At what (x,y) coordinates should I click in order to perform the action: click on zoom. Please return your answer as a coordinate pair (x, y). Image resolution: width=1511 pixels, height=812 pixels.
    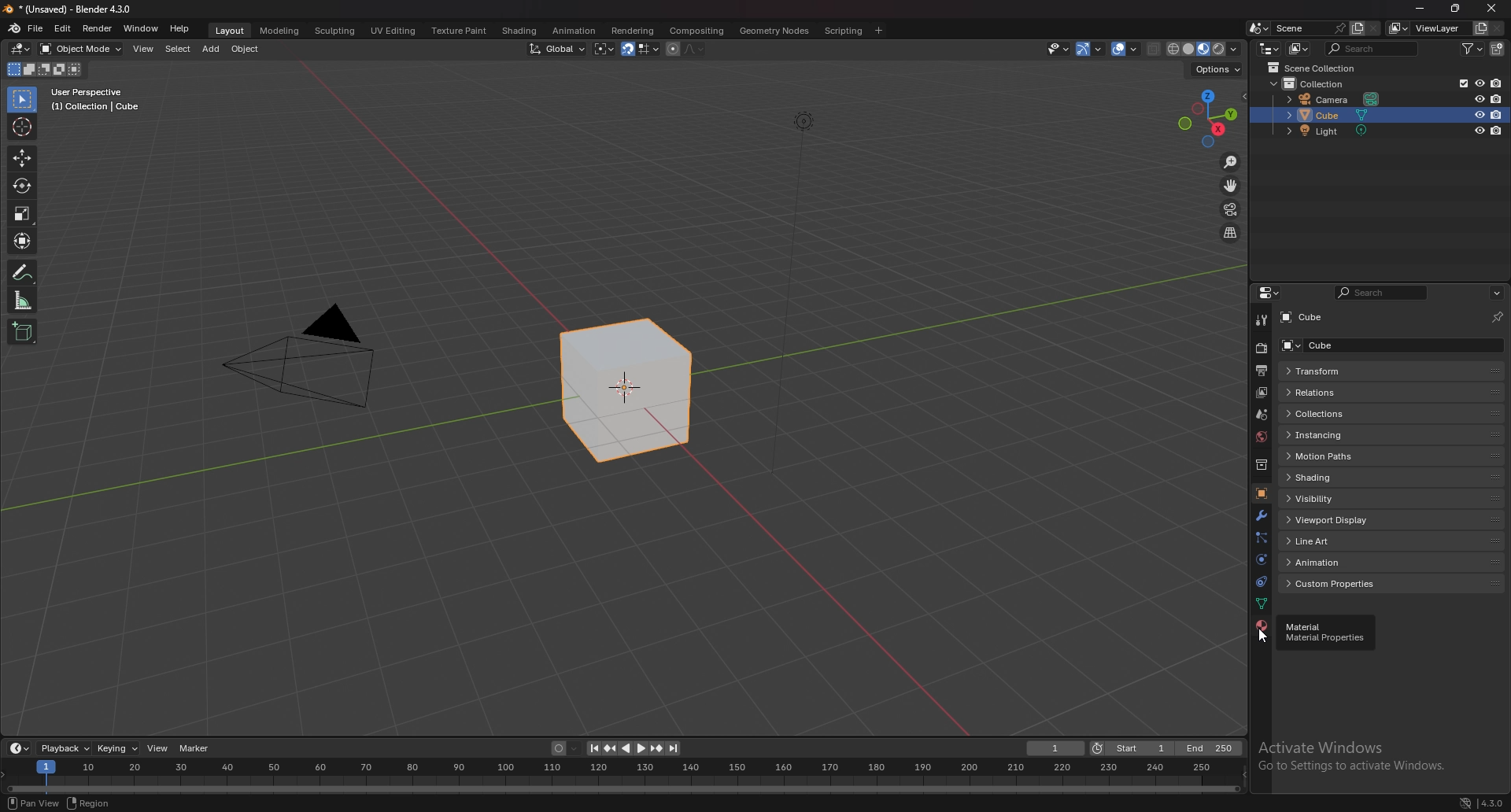
    Looking at the image, I should click on (1231, 164).